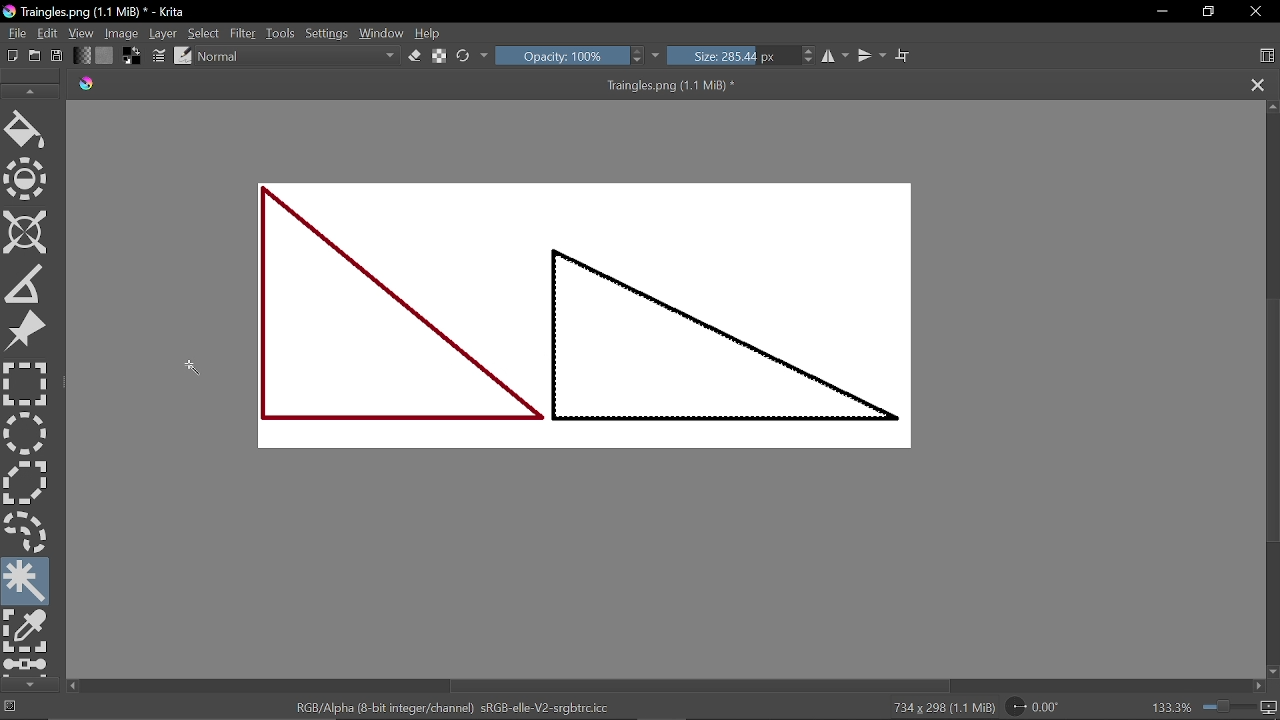 The height and width of the screenshot is (720, 1280). What do you see at coordinates (904, 56) in the screenshot?
I see `Wrap text ` at bounding box center [904, 56].